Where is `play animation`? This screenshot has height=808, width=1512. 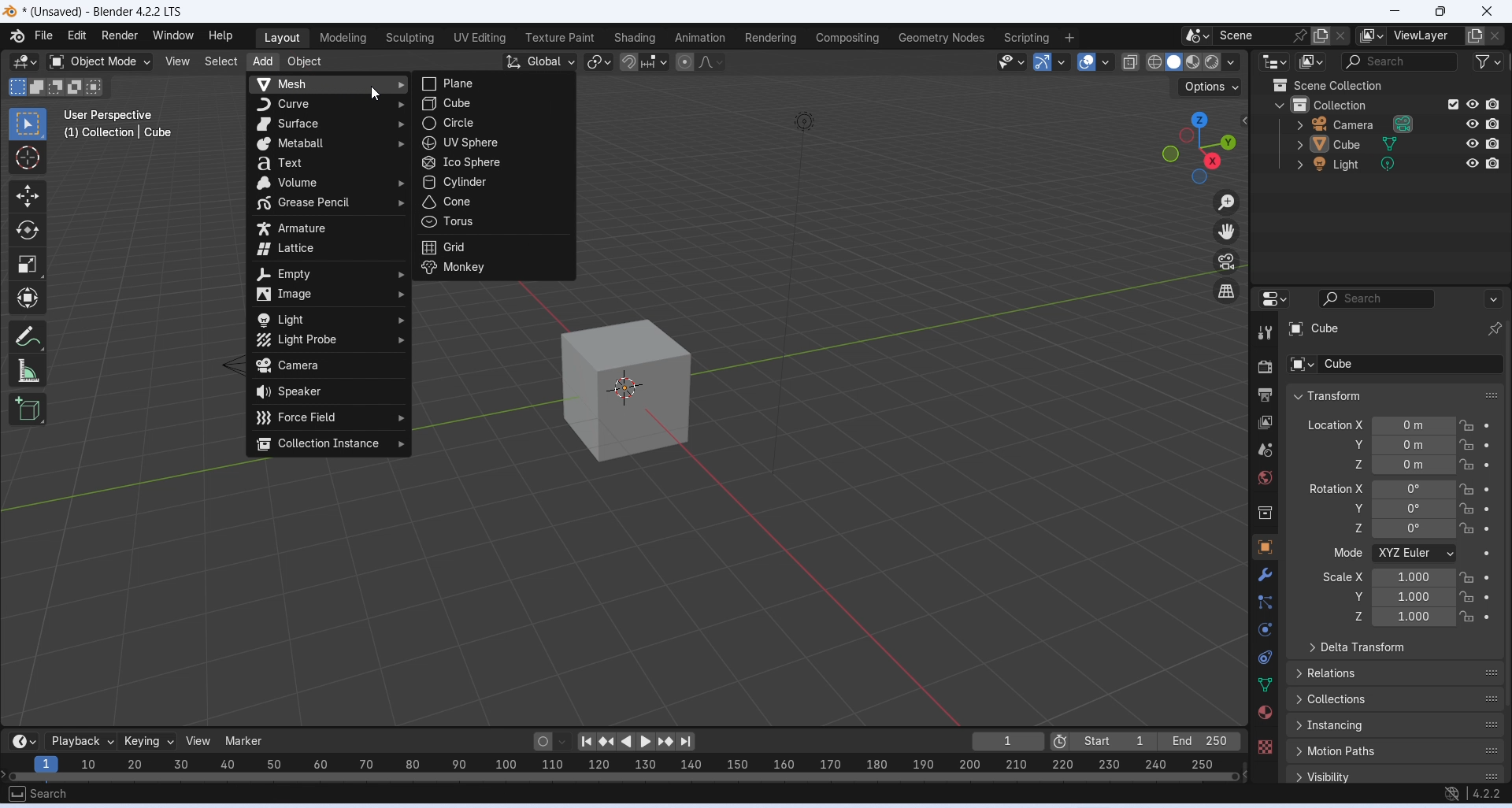
play animation is located at coordinates (627, 743).